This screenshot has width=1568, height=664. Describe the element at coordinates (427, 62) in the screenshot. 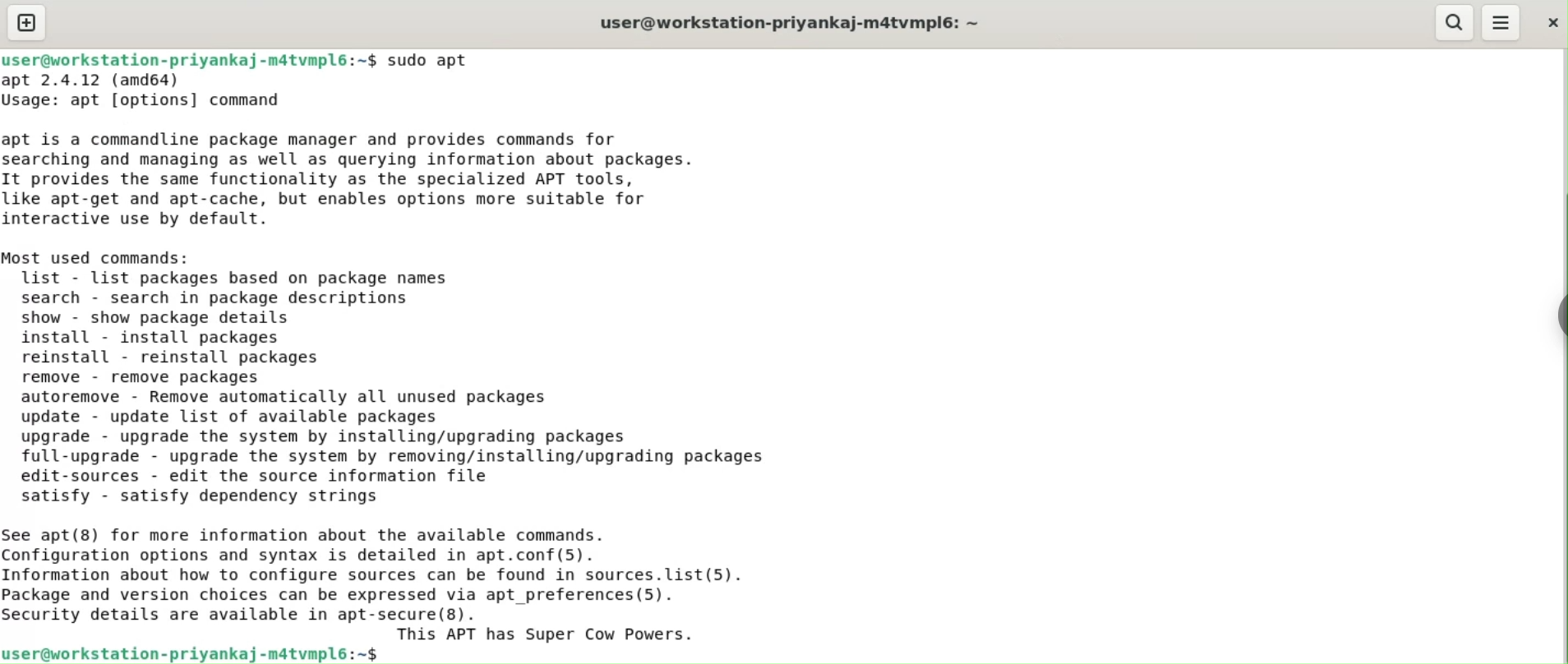

I see `-$ sudo apt` at that location.